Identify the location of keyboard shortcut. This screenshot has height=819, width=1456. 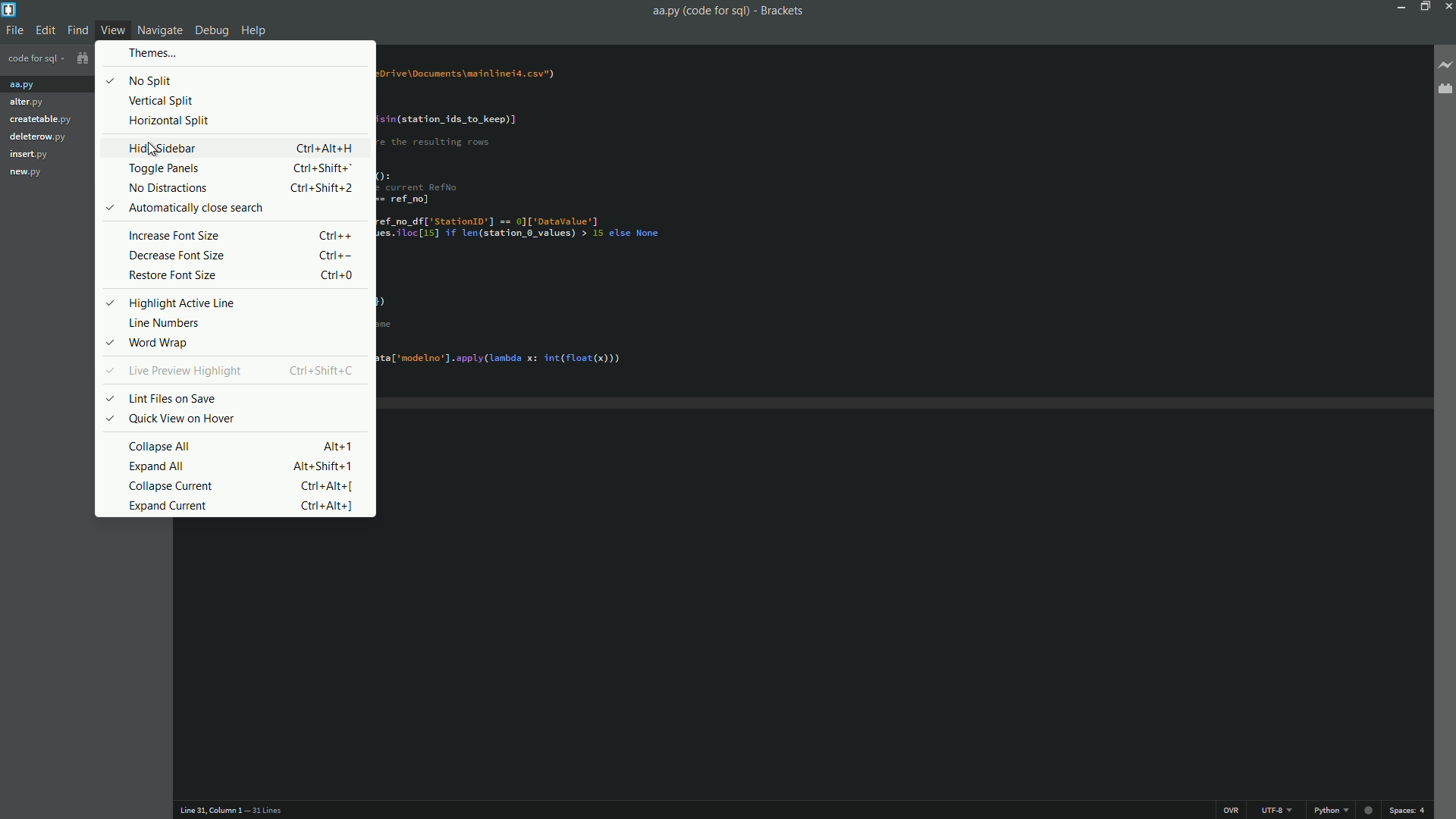
(326, 370).